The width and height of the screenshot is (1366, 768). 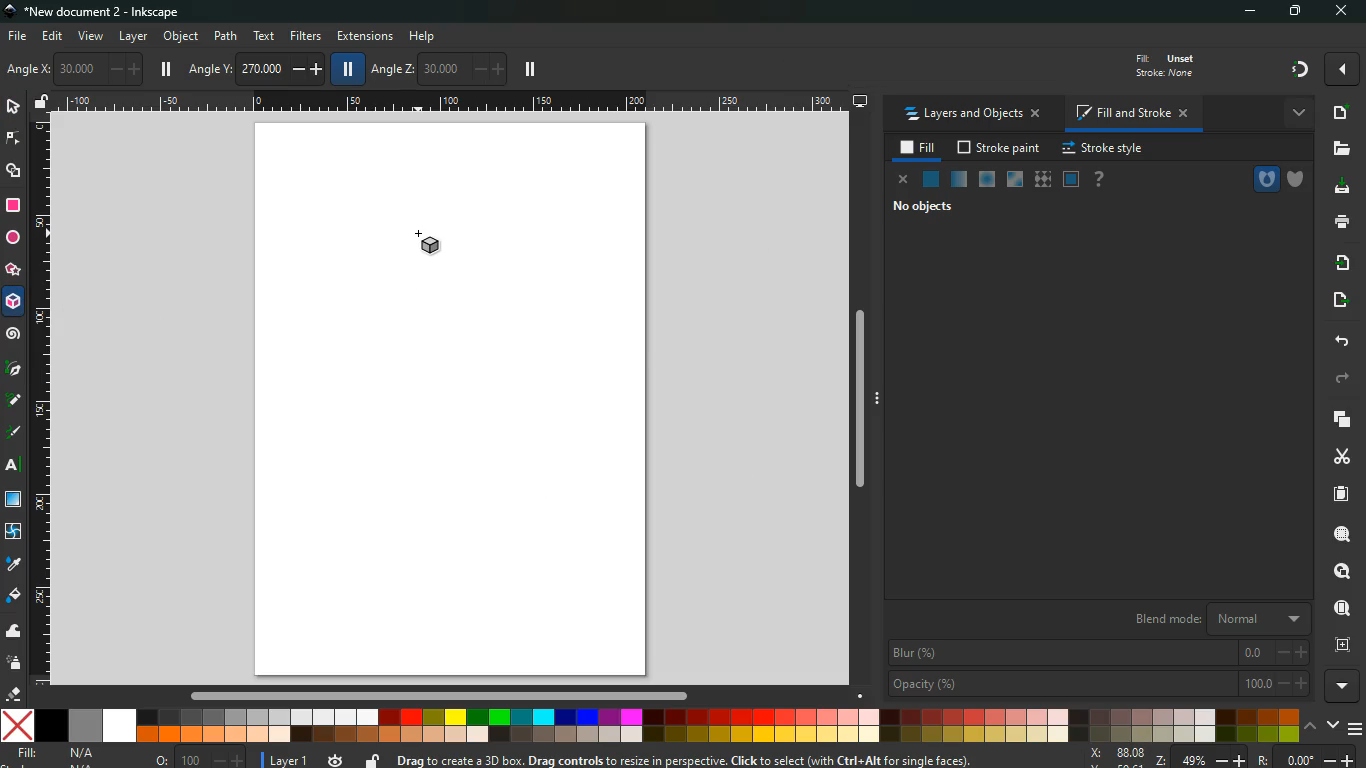 What do you see at coordinates (1221, 758) in the screenshot?
I see `zoom` at bounding box center [1221, 758].